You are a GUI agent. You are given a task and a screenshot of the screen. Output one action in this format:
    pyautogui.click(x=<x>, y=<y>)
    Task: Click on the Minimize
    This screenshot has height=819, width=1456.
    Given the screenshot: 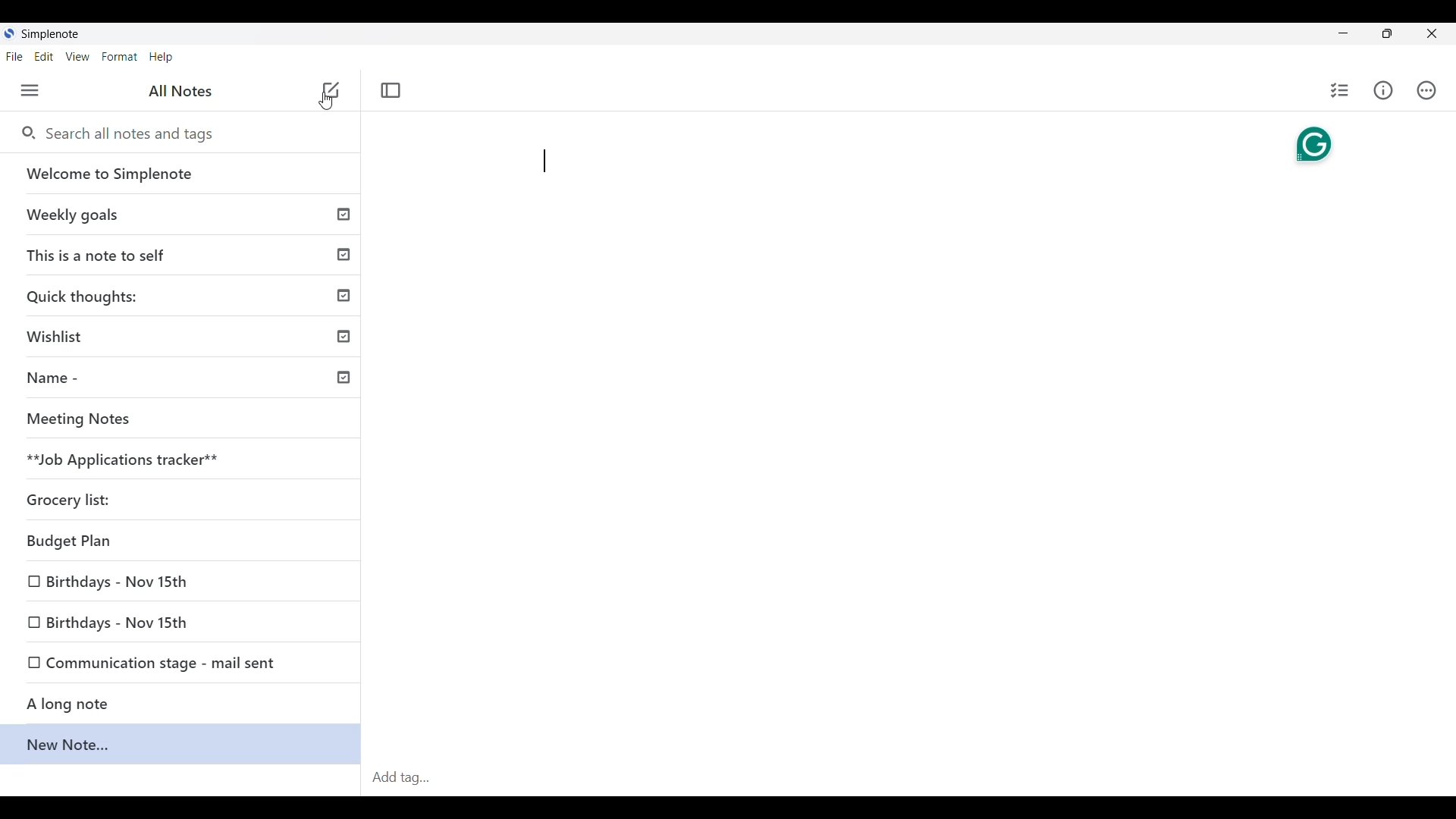 What is the action you would take?
    pyautogui.click(x=1344, y=33)
    